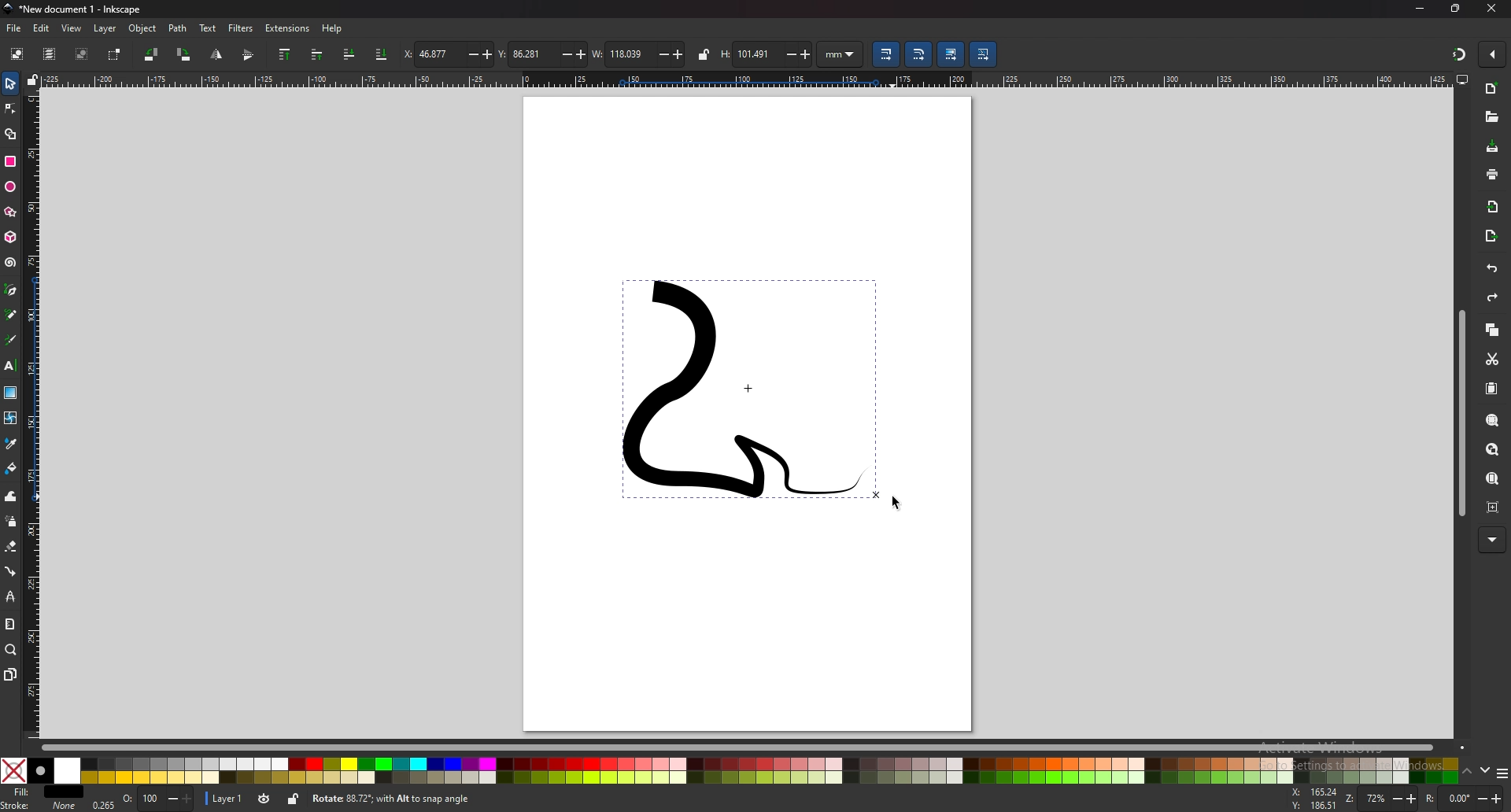 The width and height of the screenshot is (1511, 812). What do you see at coordinates (179, 28) in the screenshot?
I see `path` at bounding box center [179, 28].